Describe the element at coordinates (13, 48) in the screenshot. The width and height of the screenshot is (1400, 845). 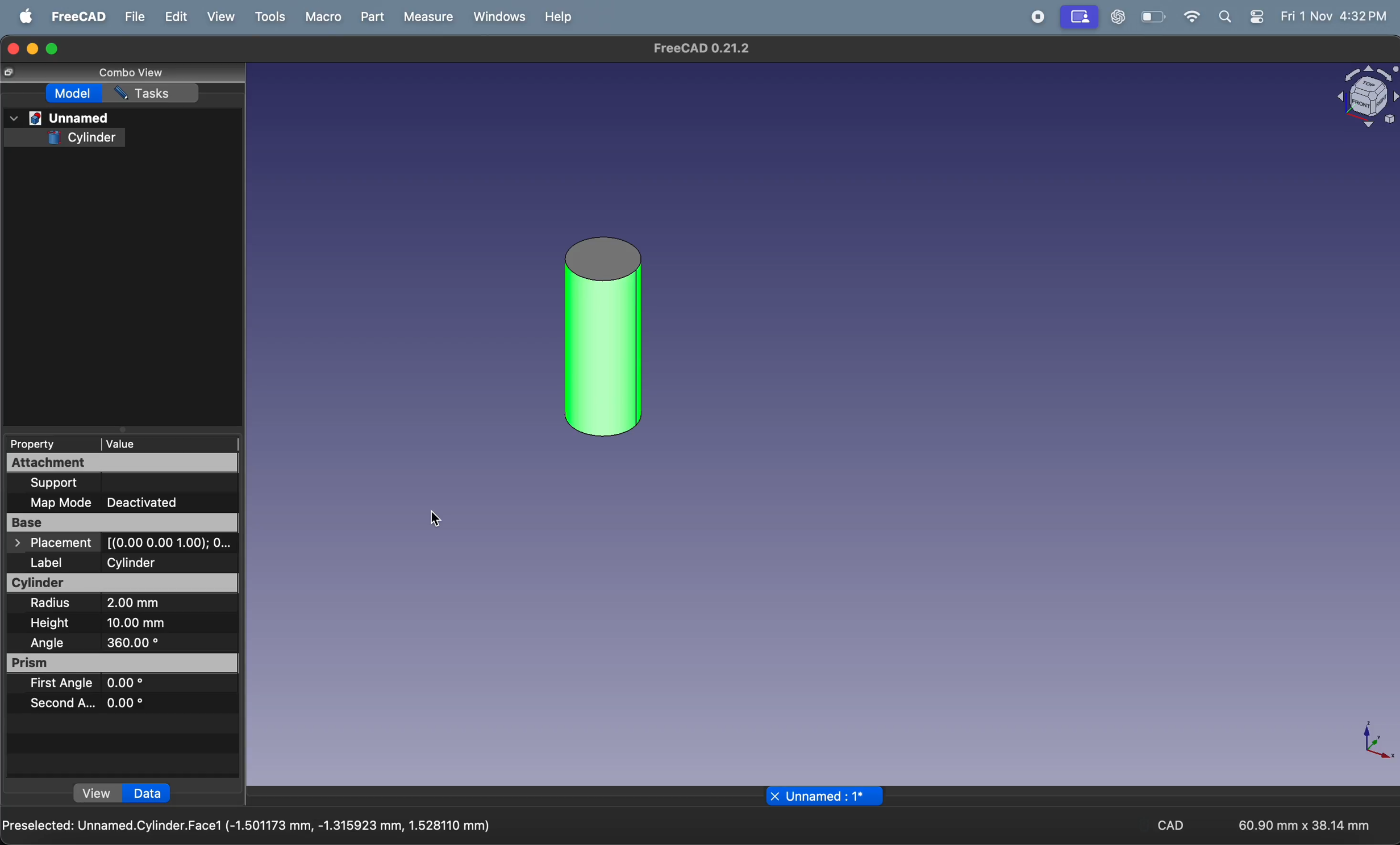
I see `closing window` at that location.